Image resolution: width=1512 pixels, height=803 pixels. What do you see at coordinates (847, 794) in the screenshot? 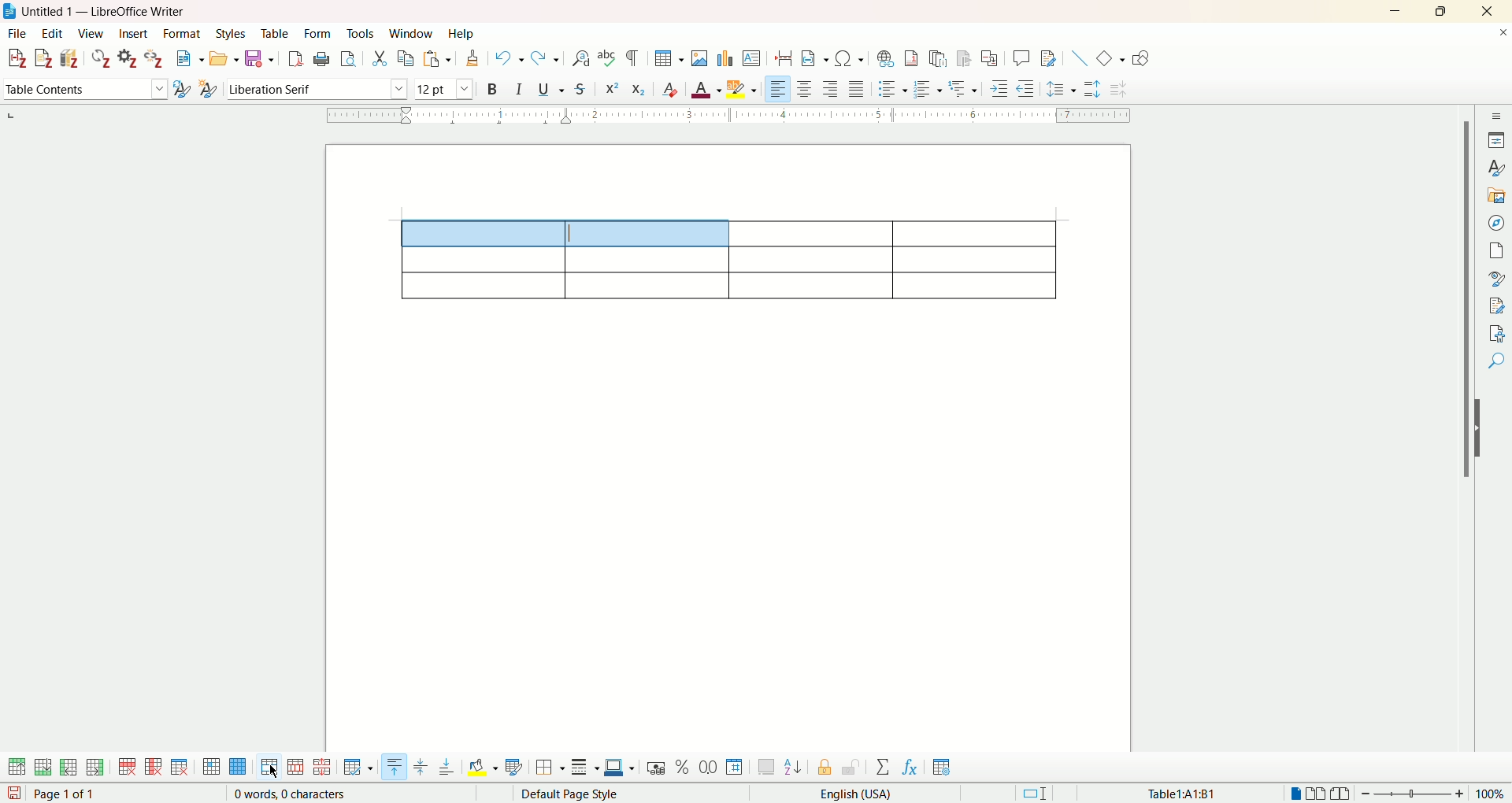
I see `English (USA)` at bounding box center [847, 794].